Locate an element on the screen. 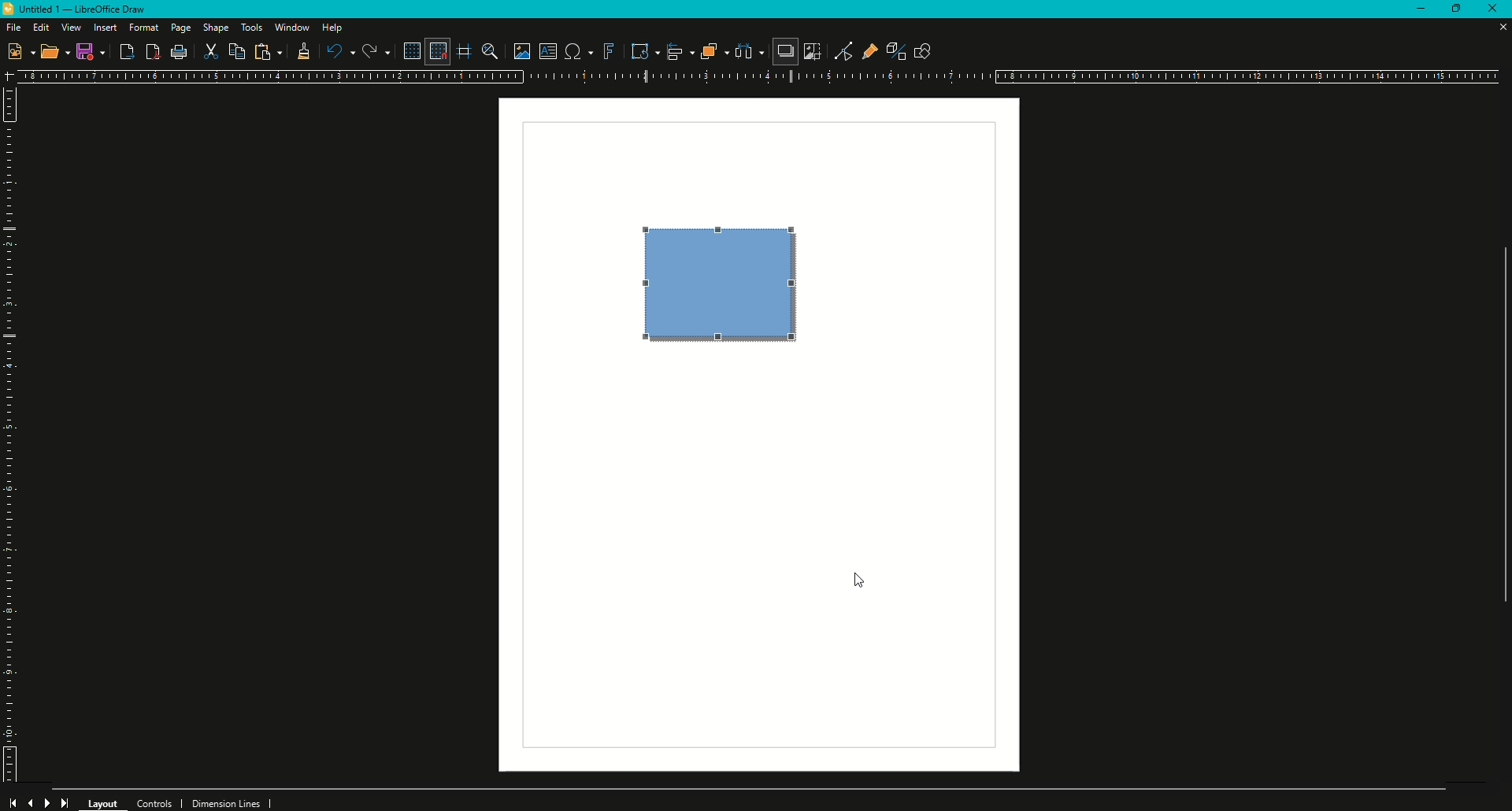 This screenshot has width=1512, height=811. Layout is located at coordinates (104, 802).